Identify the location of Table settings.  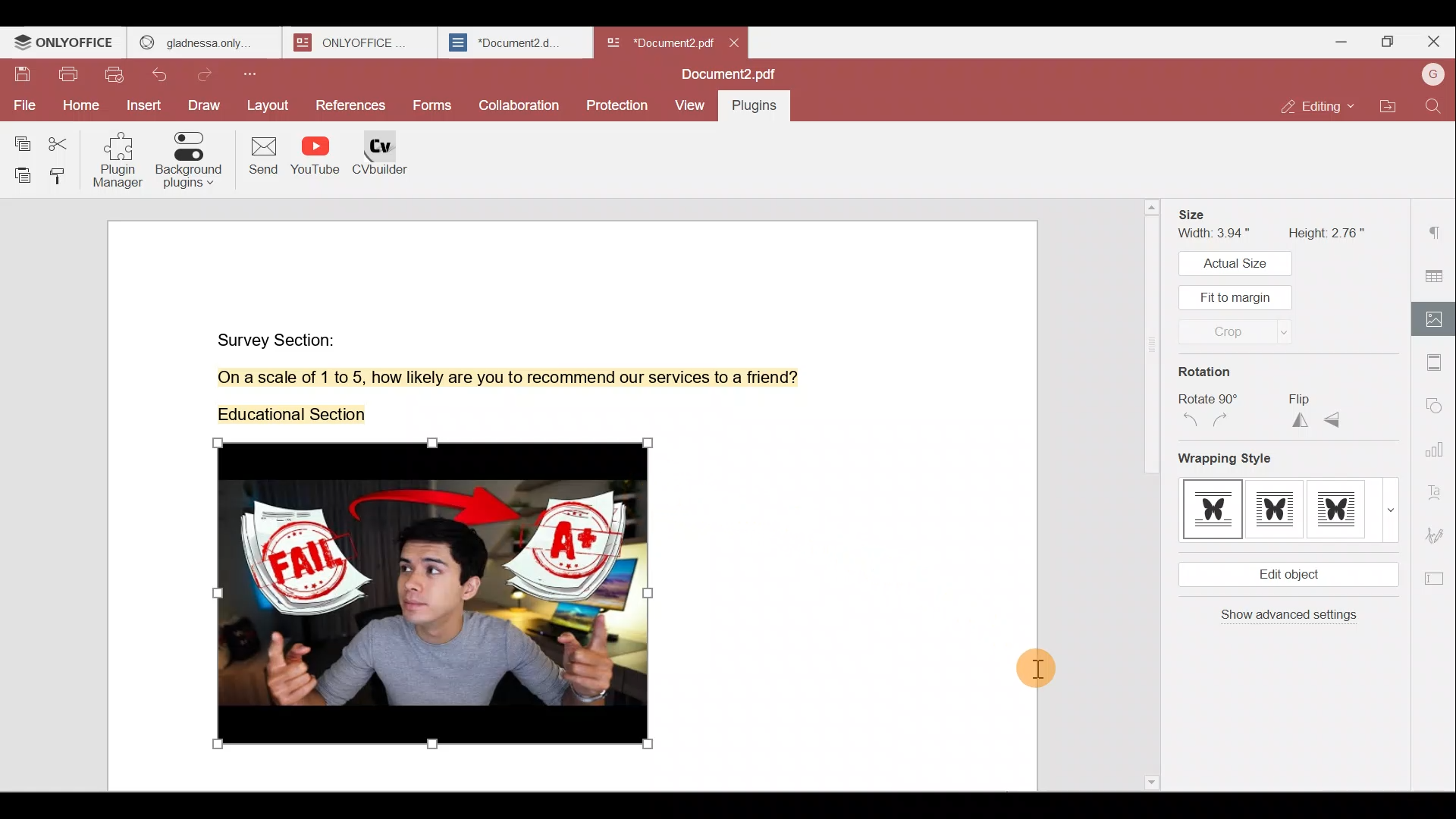
(1436, 272).